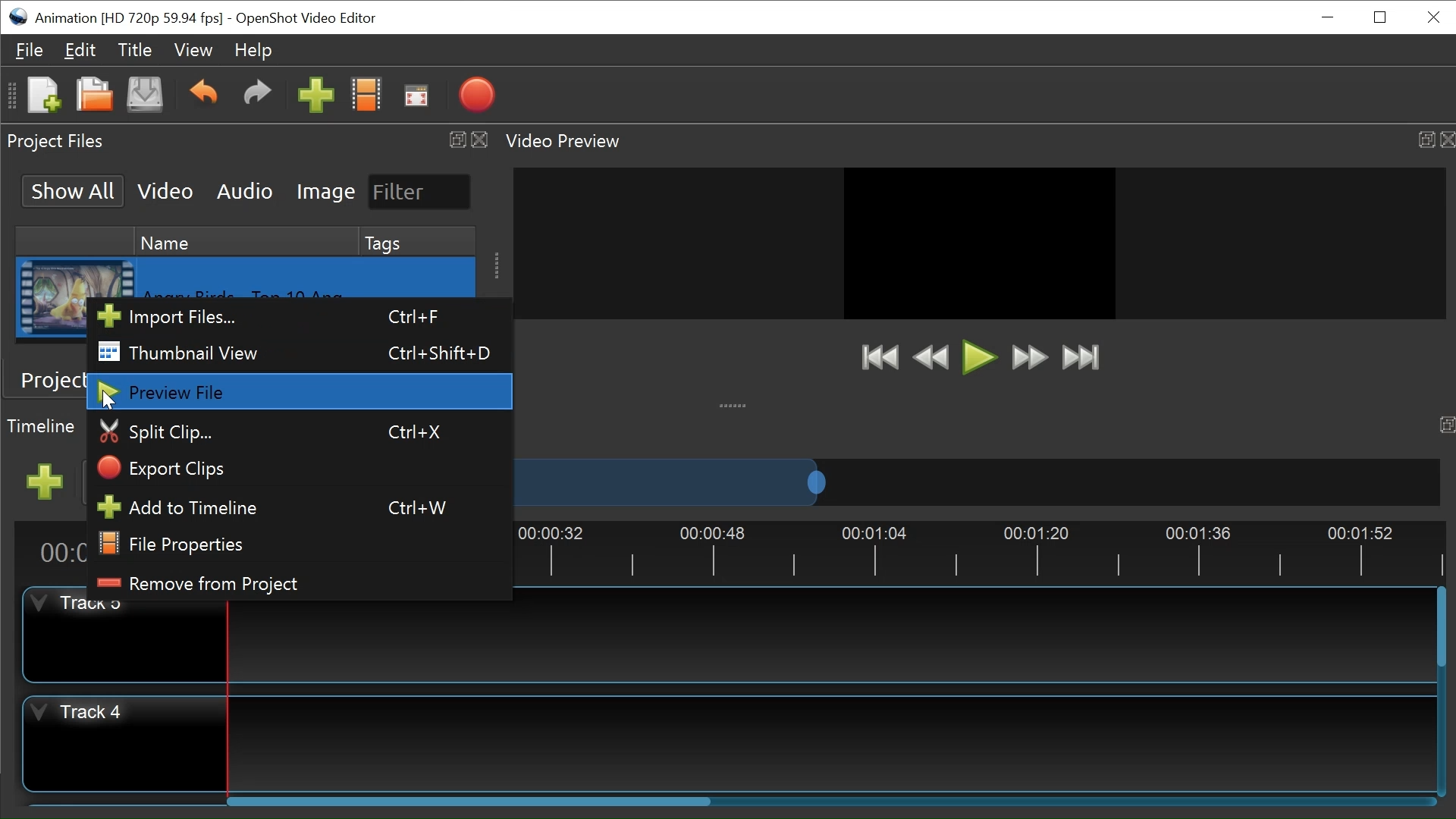 The width and height of the screenshot is (1456, 819). I want to click on Zoom Slider, so click(976, 482).